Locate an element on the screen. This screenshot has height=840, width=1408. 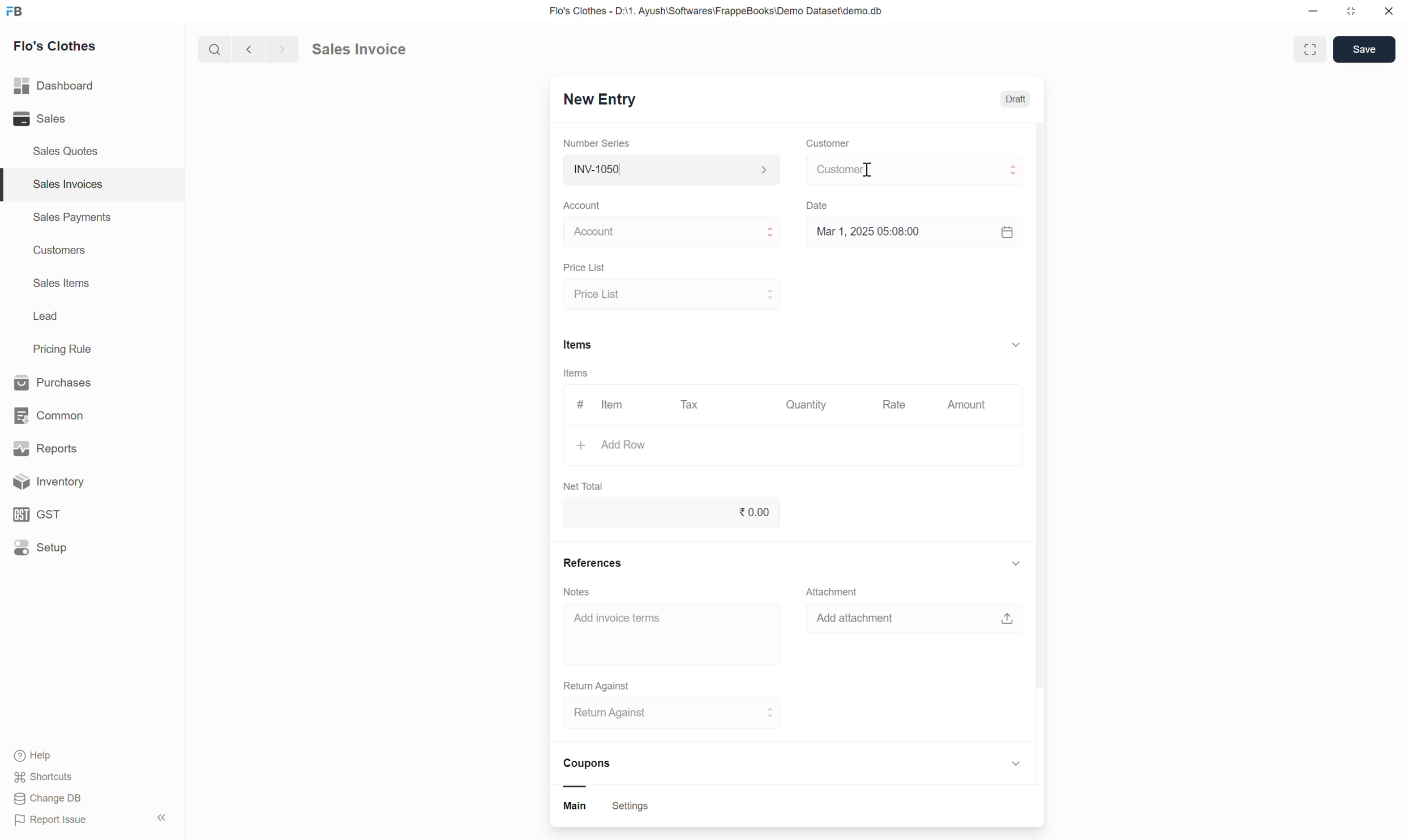
show or hide references  is located at coordinates (1016, 565).